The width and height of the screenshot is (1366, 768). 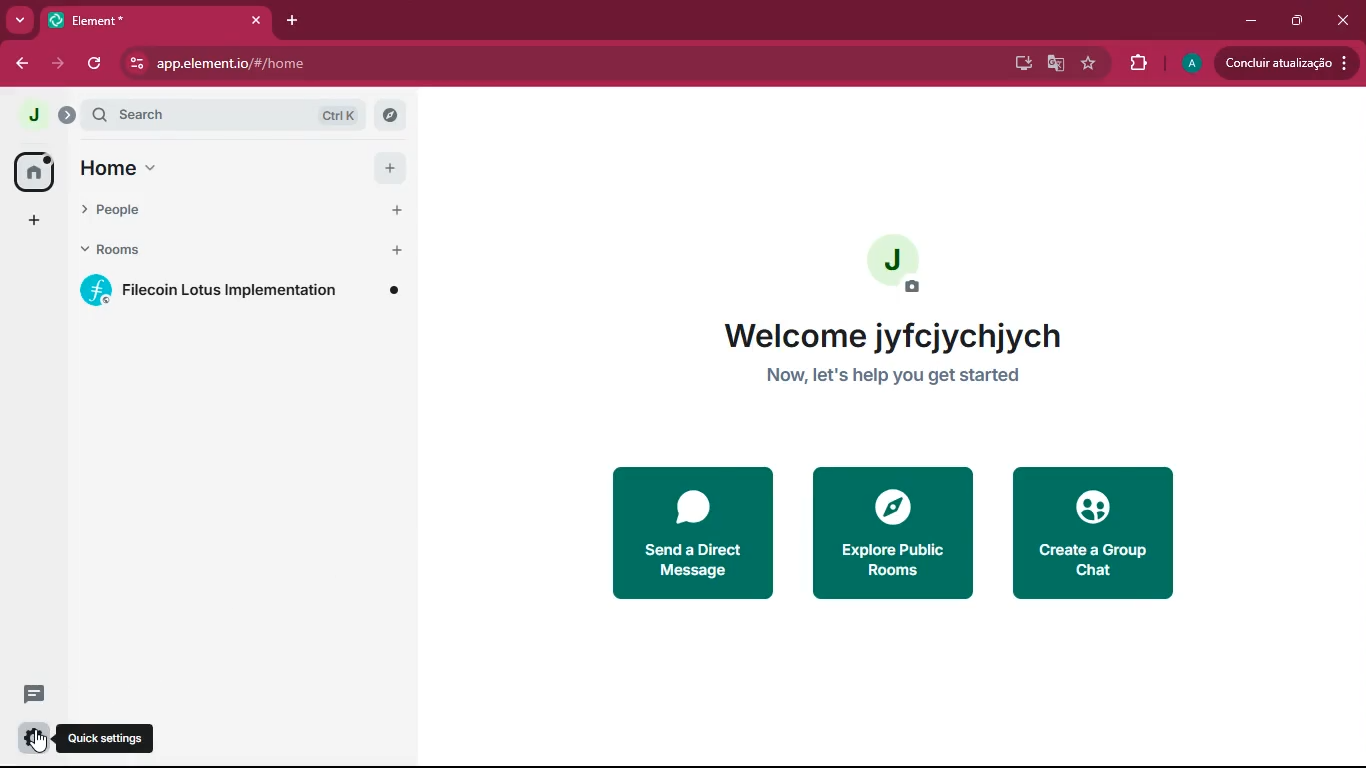 What do you see at coordinates (1192, 65) in the screenshot?
I see `profile` at bounding box center [1192, 65].